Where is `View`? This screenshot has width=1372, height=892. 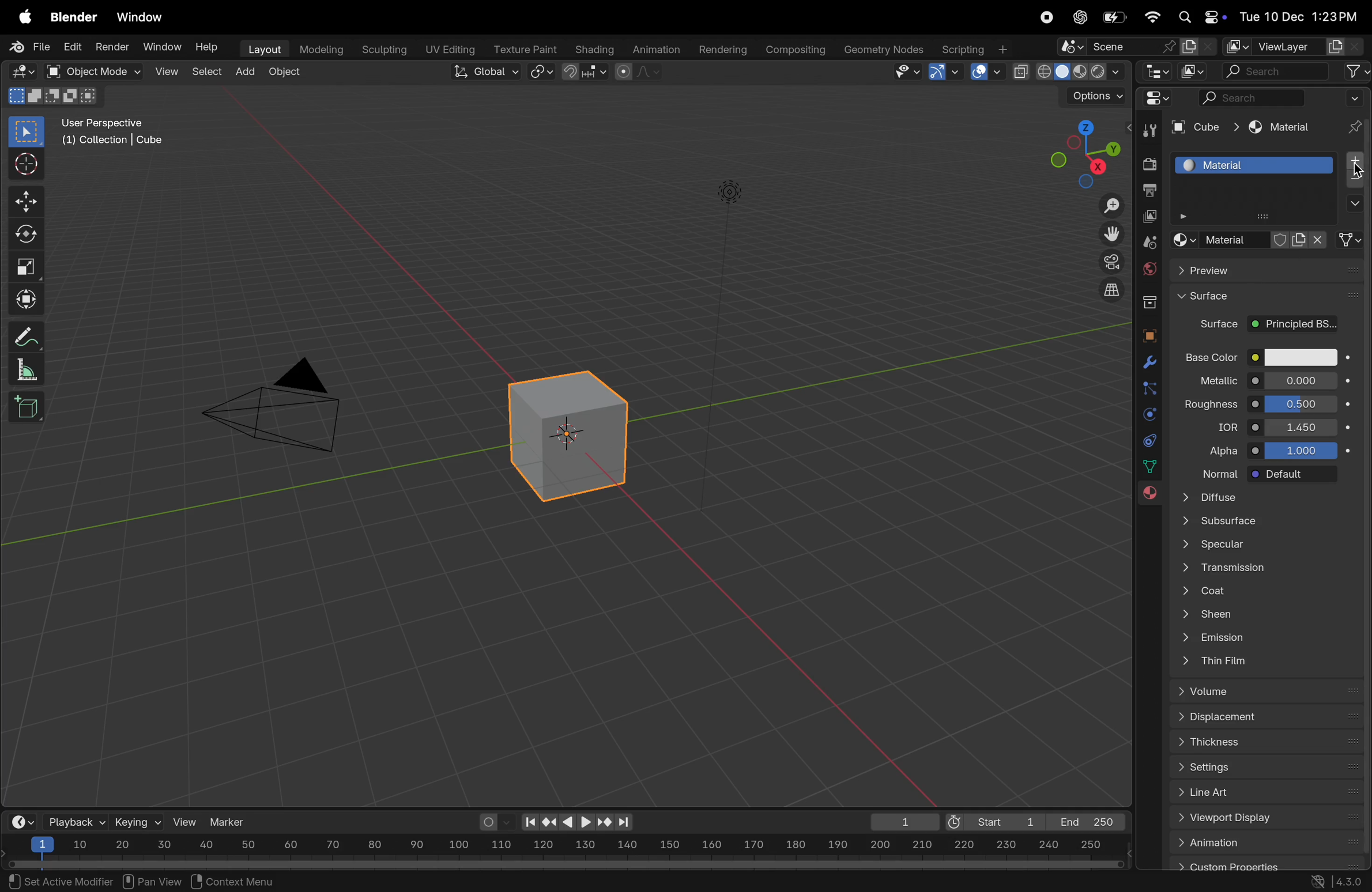
View is located at coordinates (165, 71).